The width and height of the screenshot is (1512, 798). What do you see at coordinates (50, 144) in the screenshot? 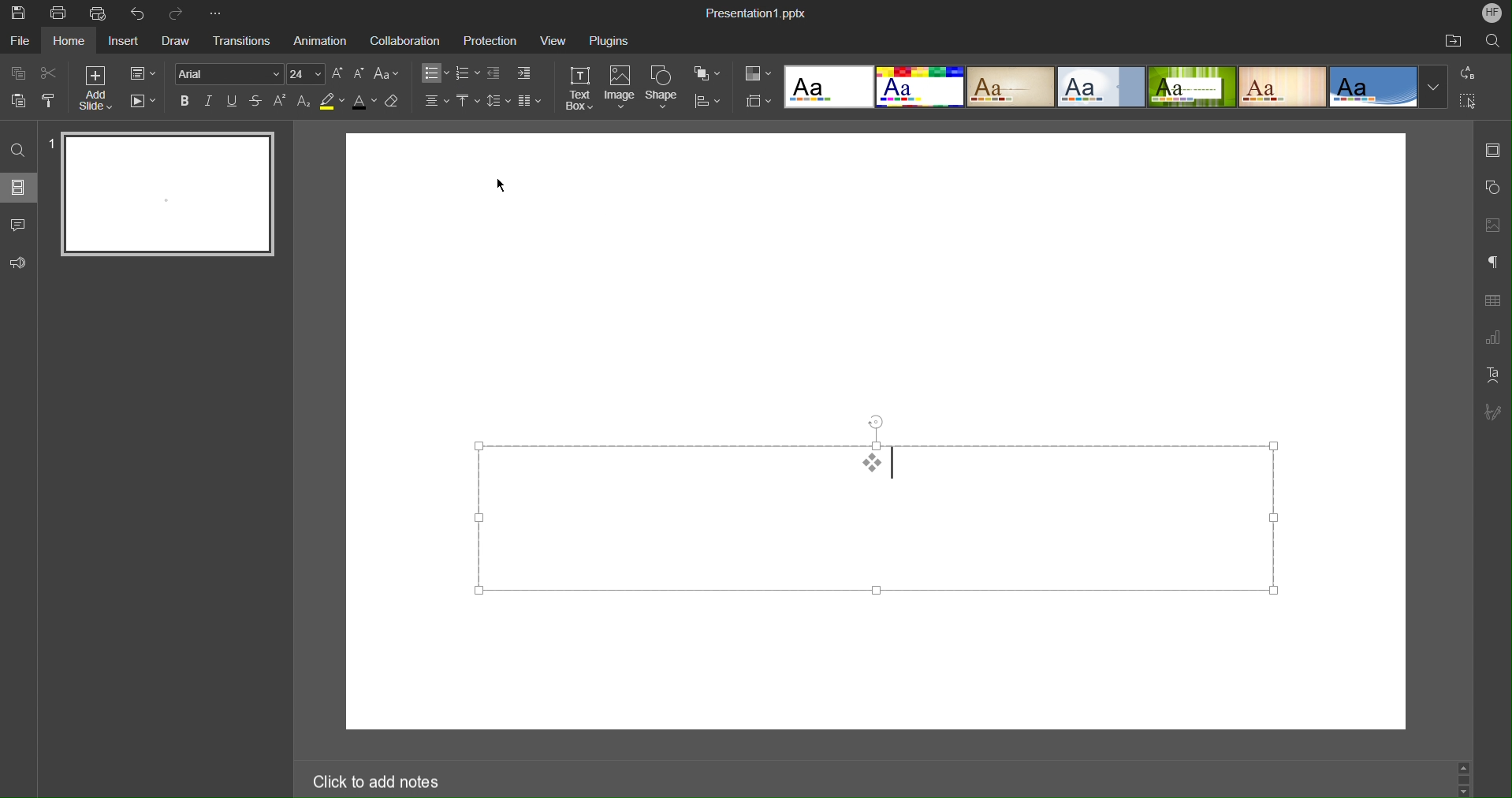
I see `slide number` at bounding box center [50, 144].